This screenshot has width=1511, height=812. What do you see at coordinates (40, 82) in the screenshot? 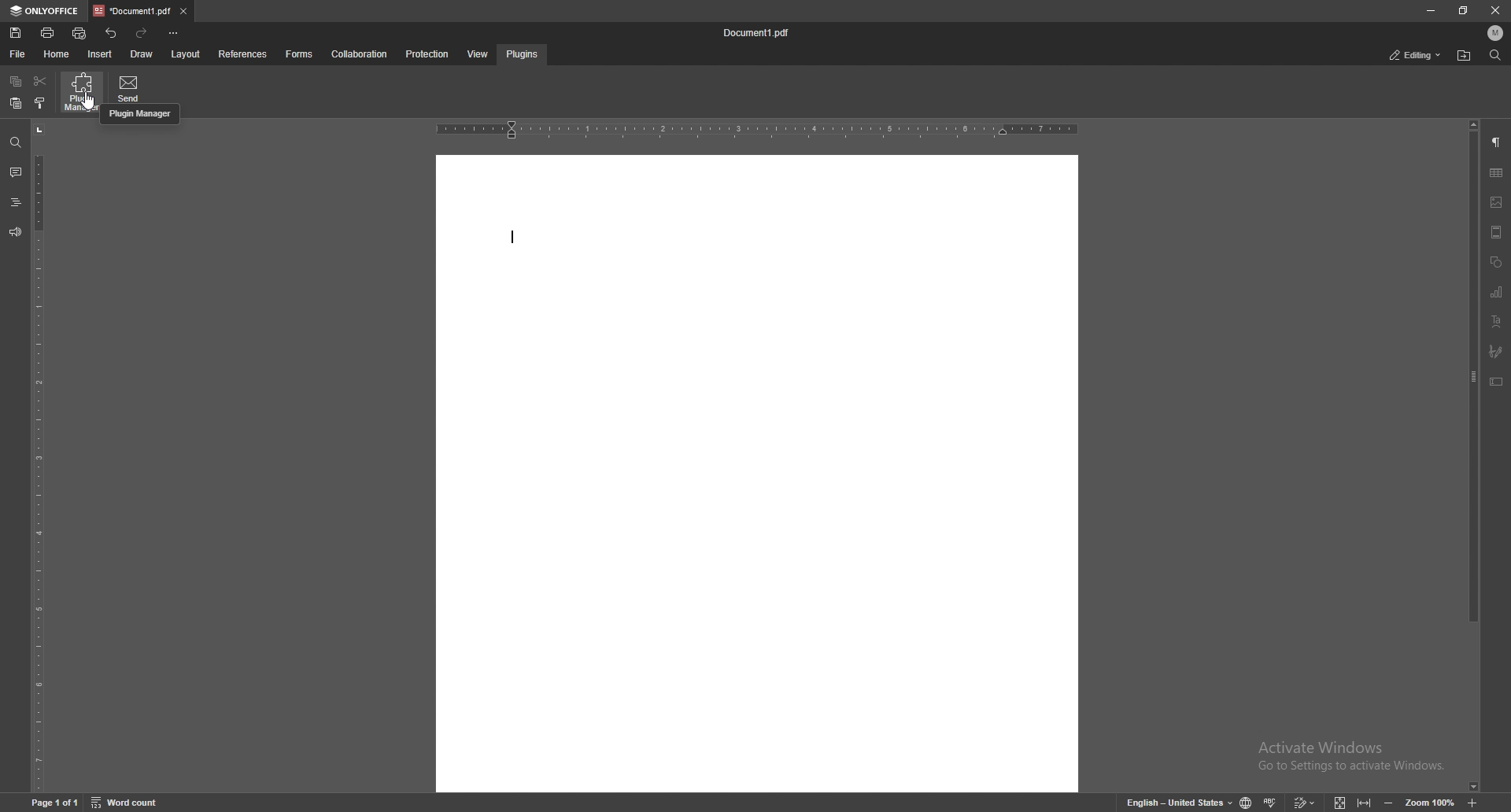
I see `cut` at bounding box center [40, 82].